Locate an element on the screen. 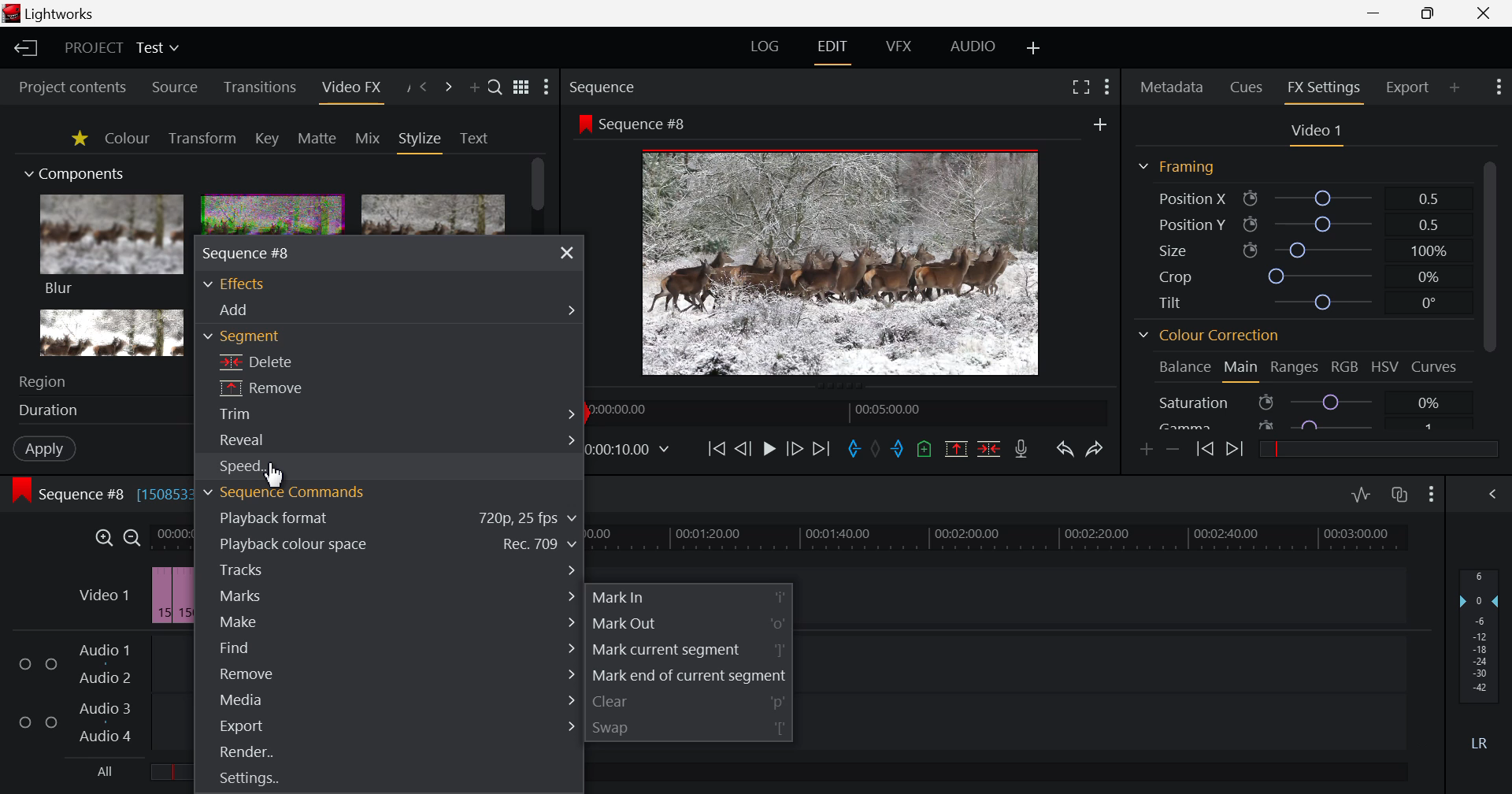  Make is located at coordinates (391, 622).